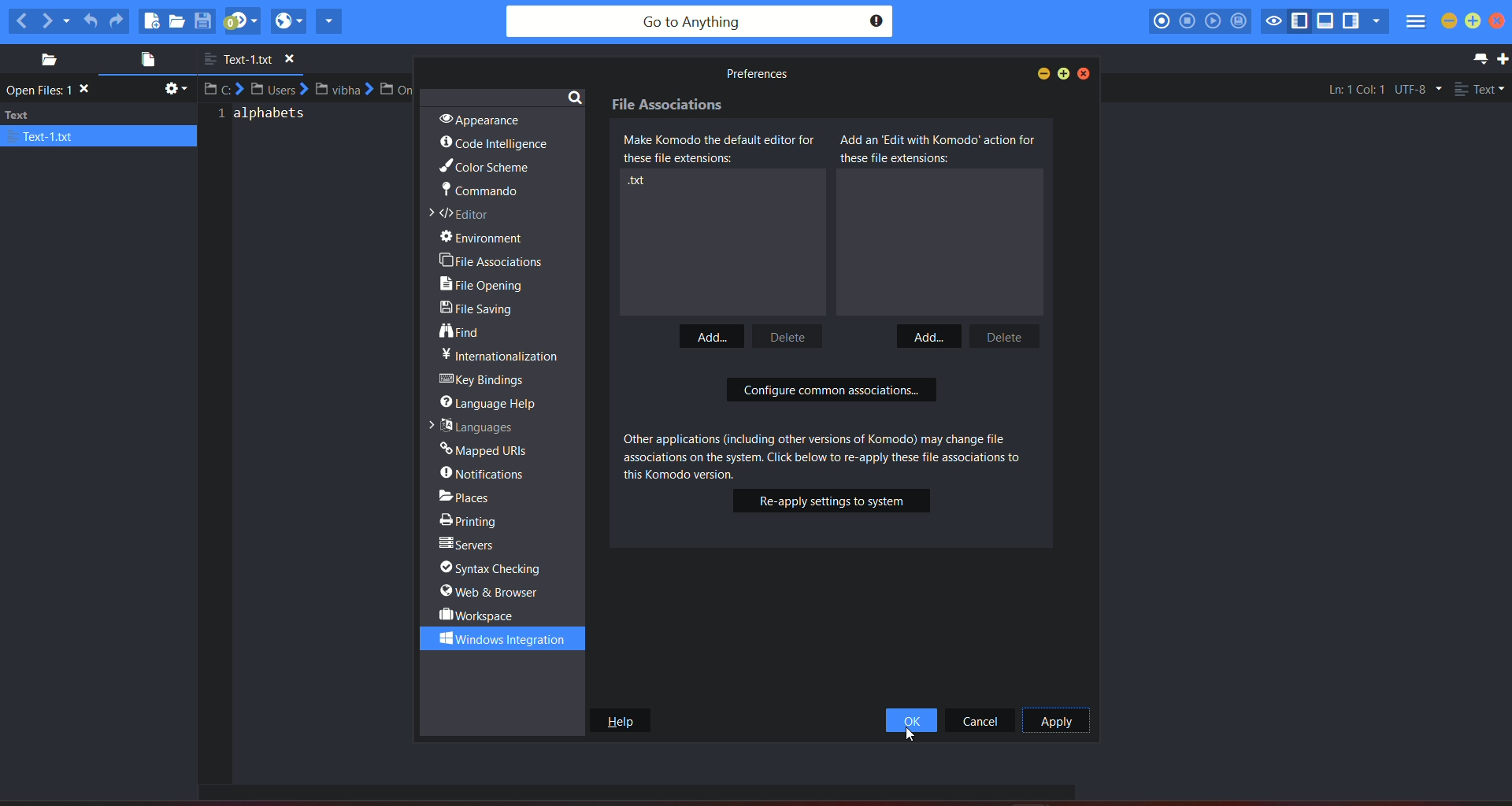 The width and height of the screenshot is (1512, 806). Describe the element at coordinates (151, 20) in the screenshot. I see `new file` at that location.